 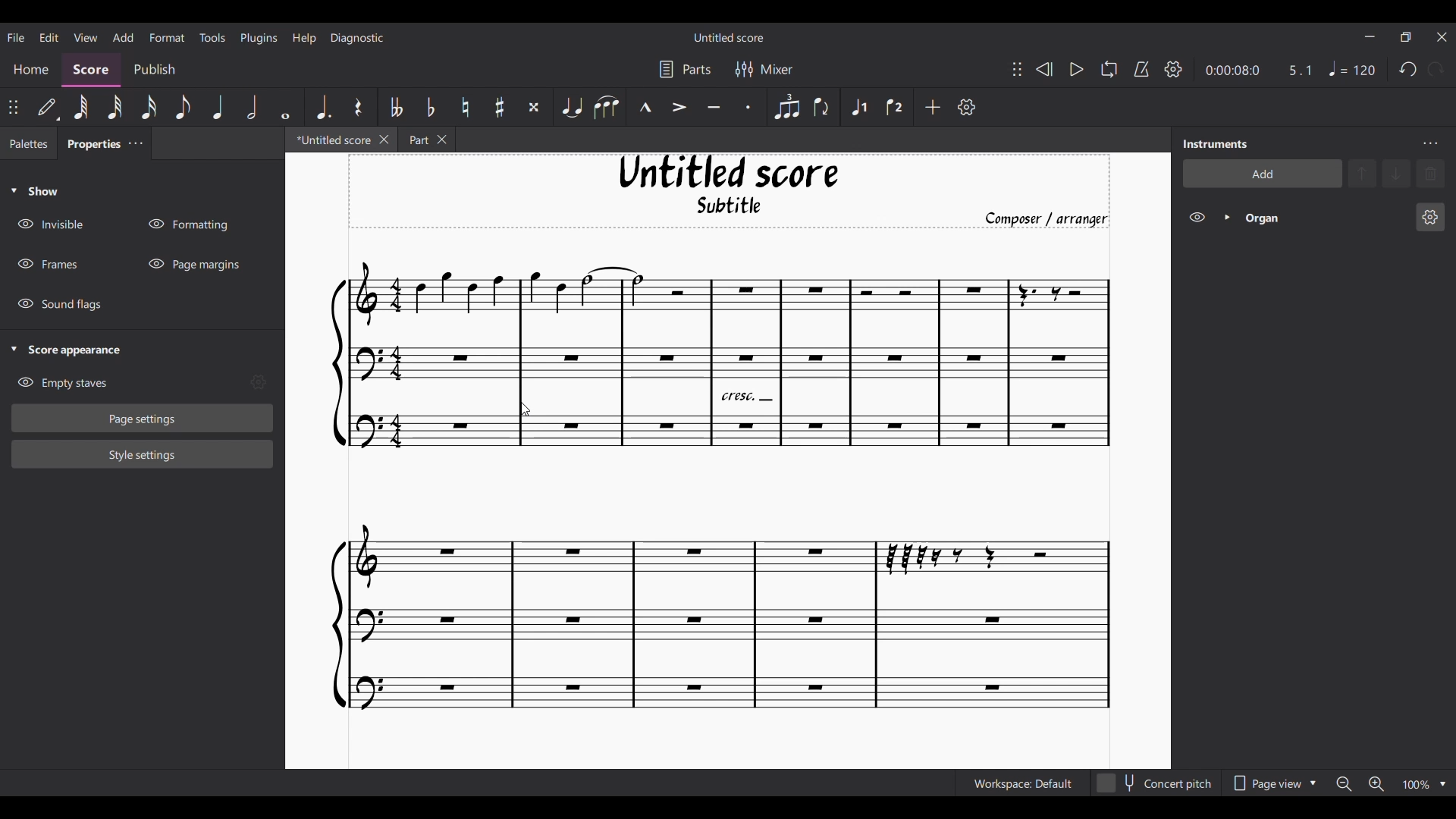 I want to click on Composer/arranger, so click(x=1053, y=219).